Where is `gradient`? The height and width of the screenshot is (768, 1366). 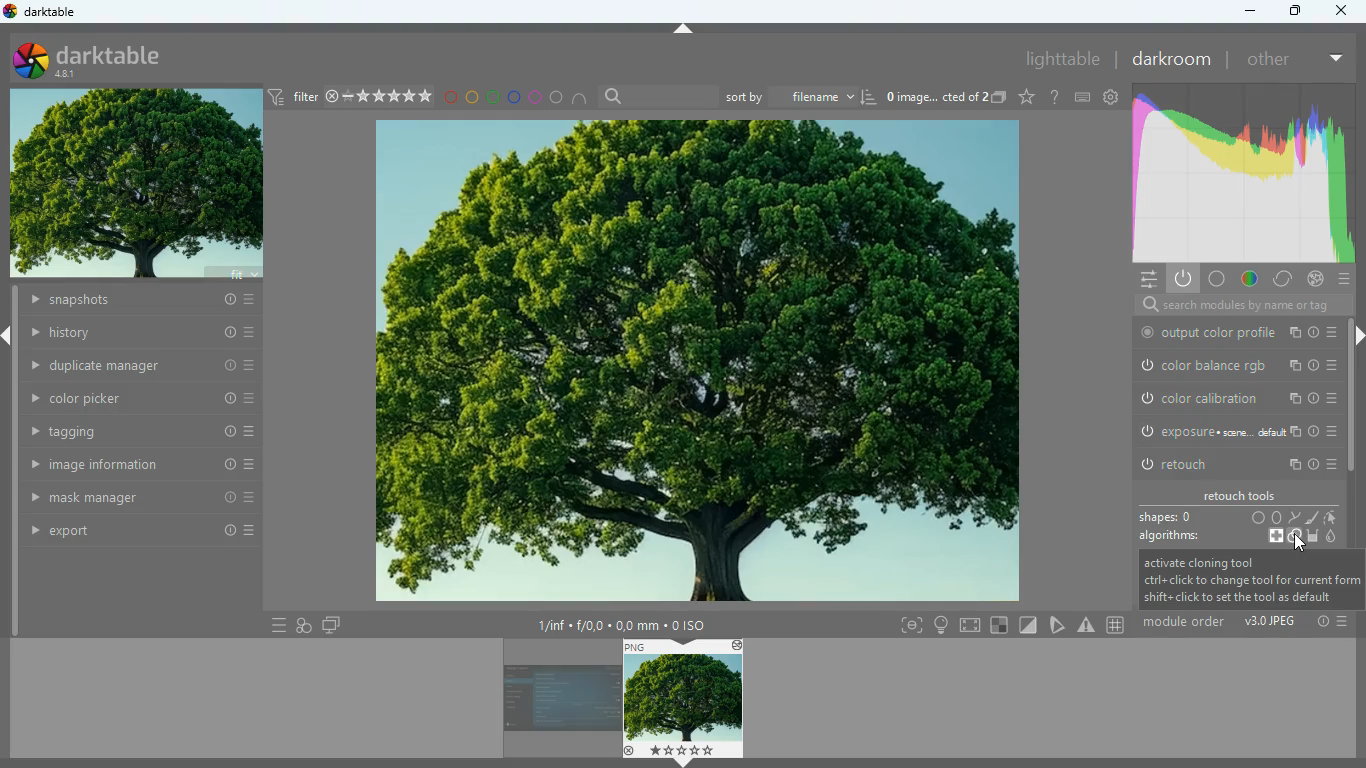 gradient is located at coordinates (1239, 173).